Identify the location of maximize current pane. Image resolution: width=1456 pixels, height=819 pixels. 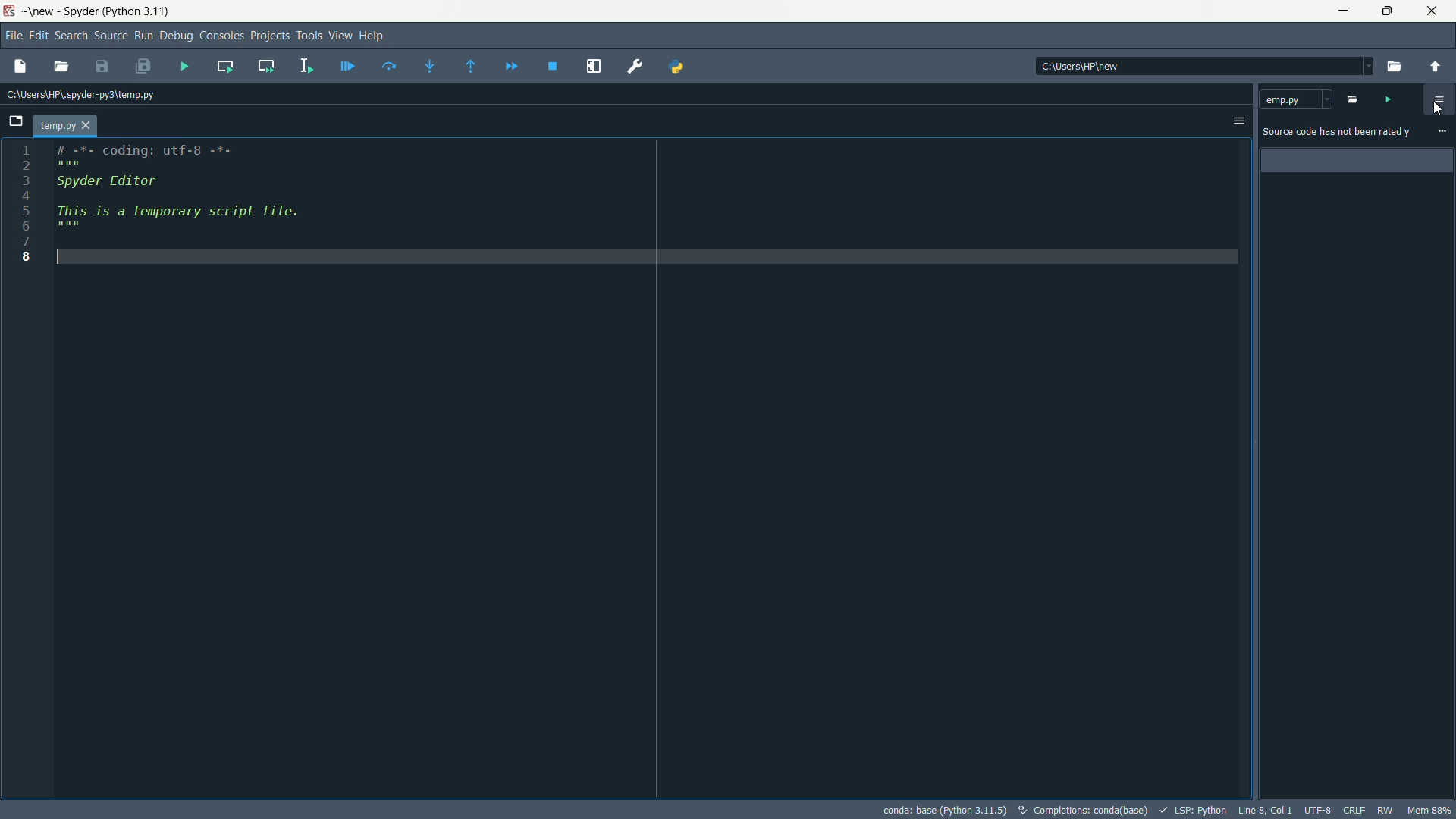
(593, 64).